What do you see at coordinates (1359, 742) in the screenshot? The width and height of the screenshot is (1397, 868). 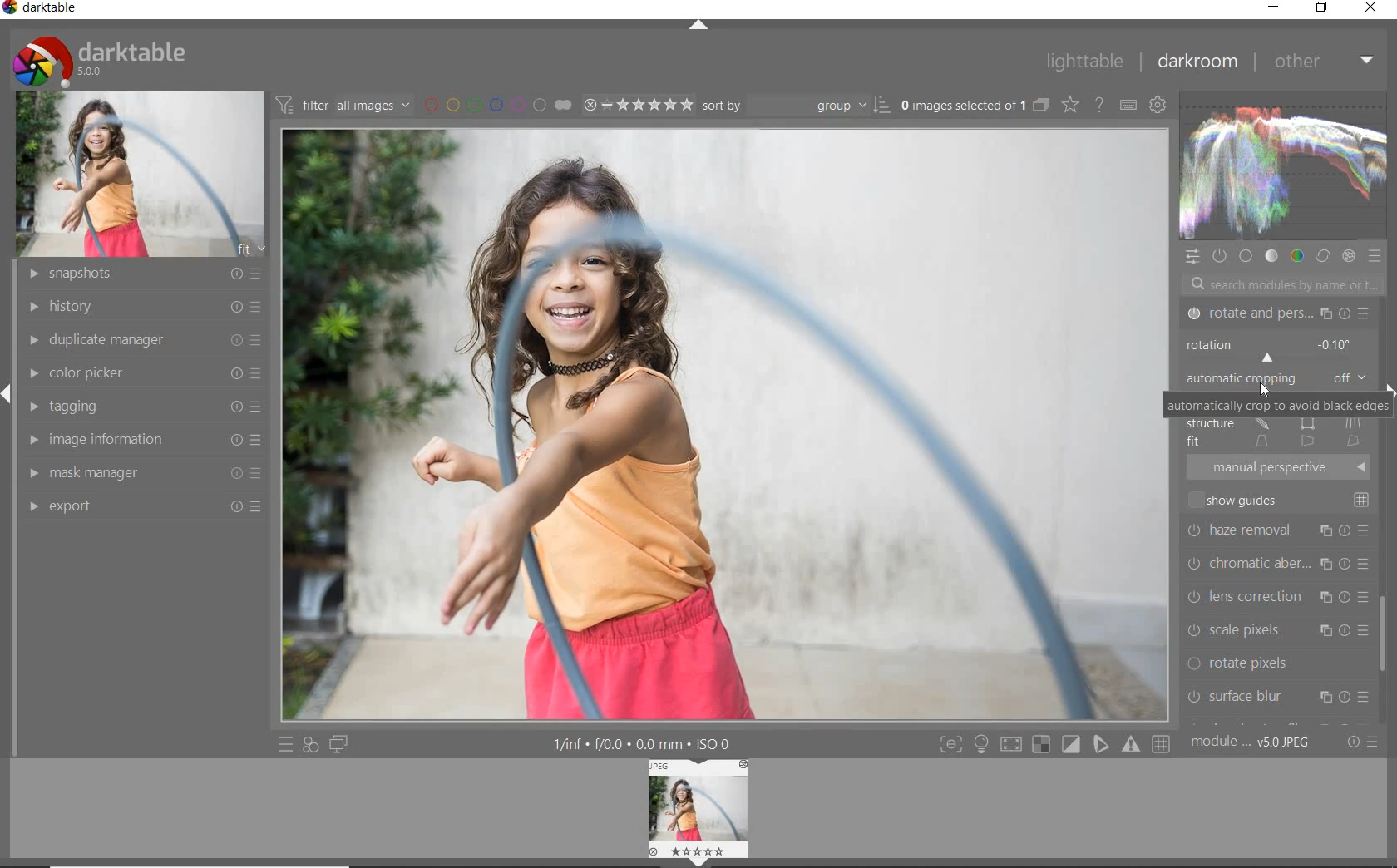 I see `reset or preset preference` at bounding box center [1359, 742].